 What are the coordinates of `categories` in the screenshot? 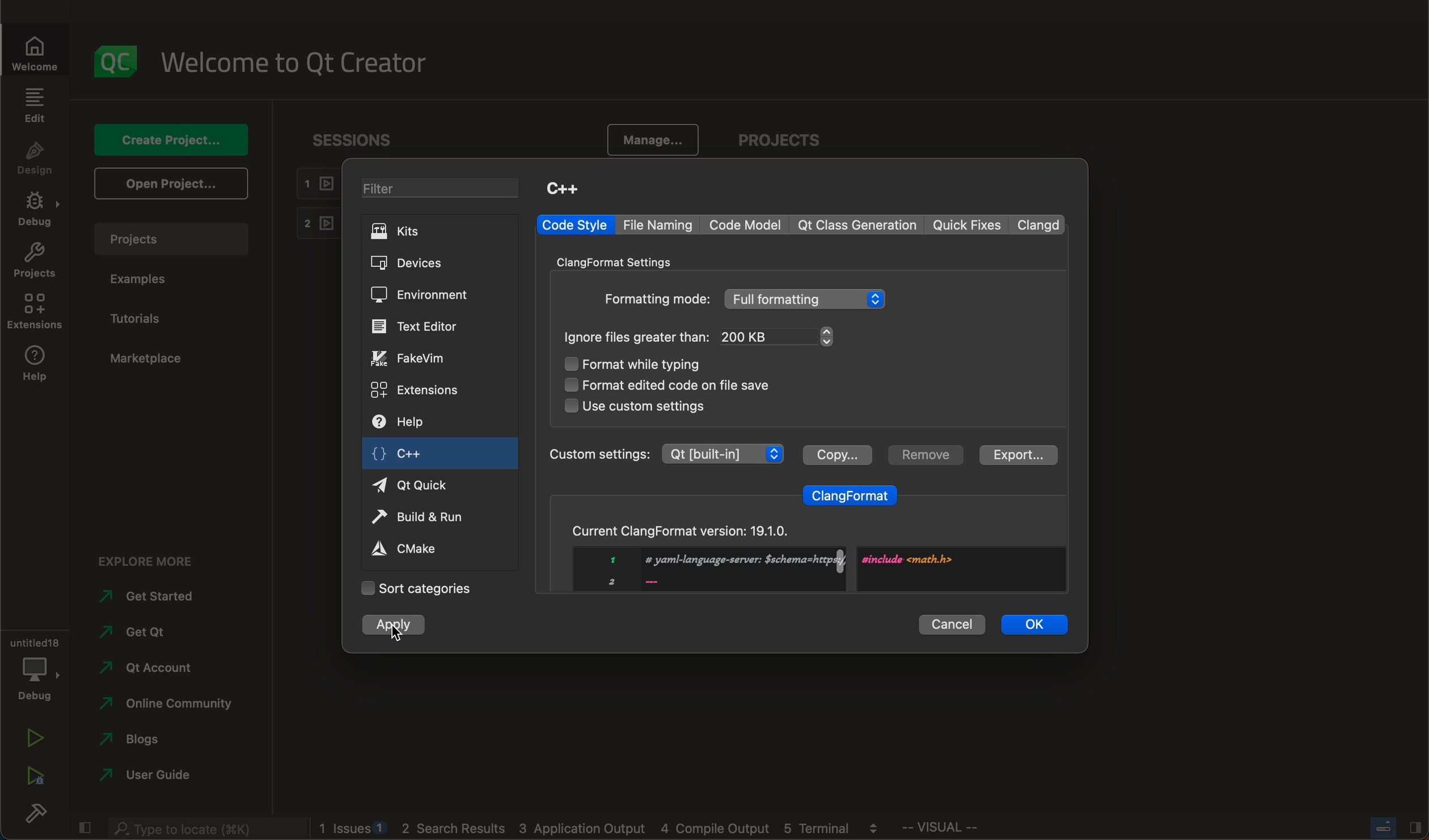 It's located at (416, 588).